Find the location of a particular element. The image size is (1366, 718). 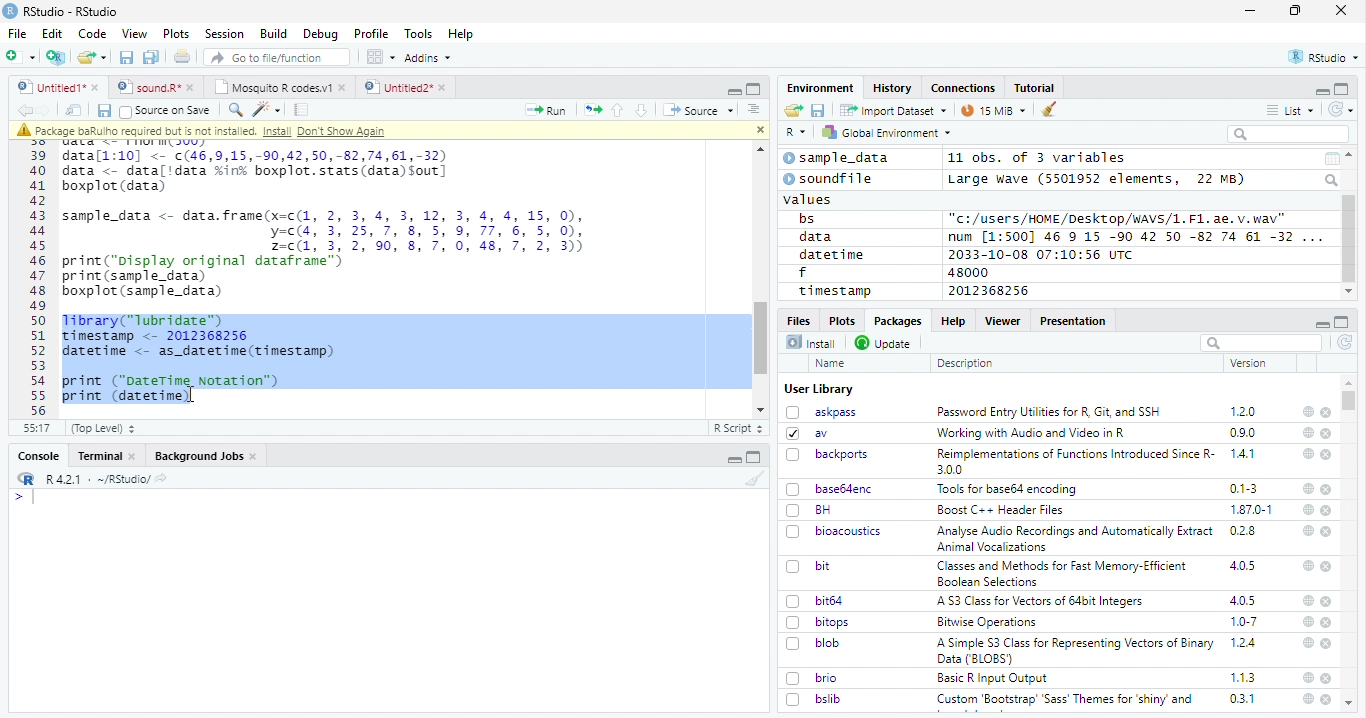

1.87.0-1 is located at coordinates (1251, 510).